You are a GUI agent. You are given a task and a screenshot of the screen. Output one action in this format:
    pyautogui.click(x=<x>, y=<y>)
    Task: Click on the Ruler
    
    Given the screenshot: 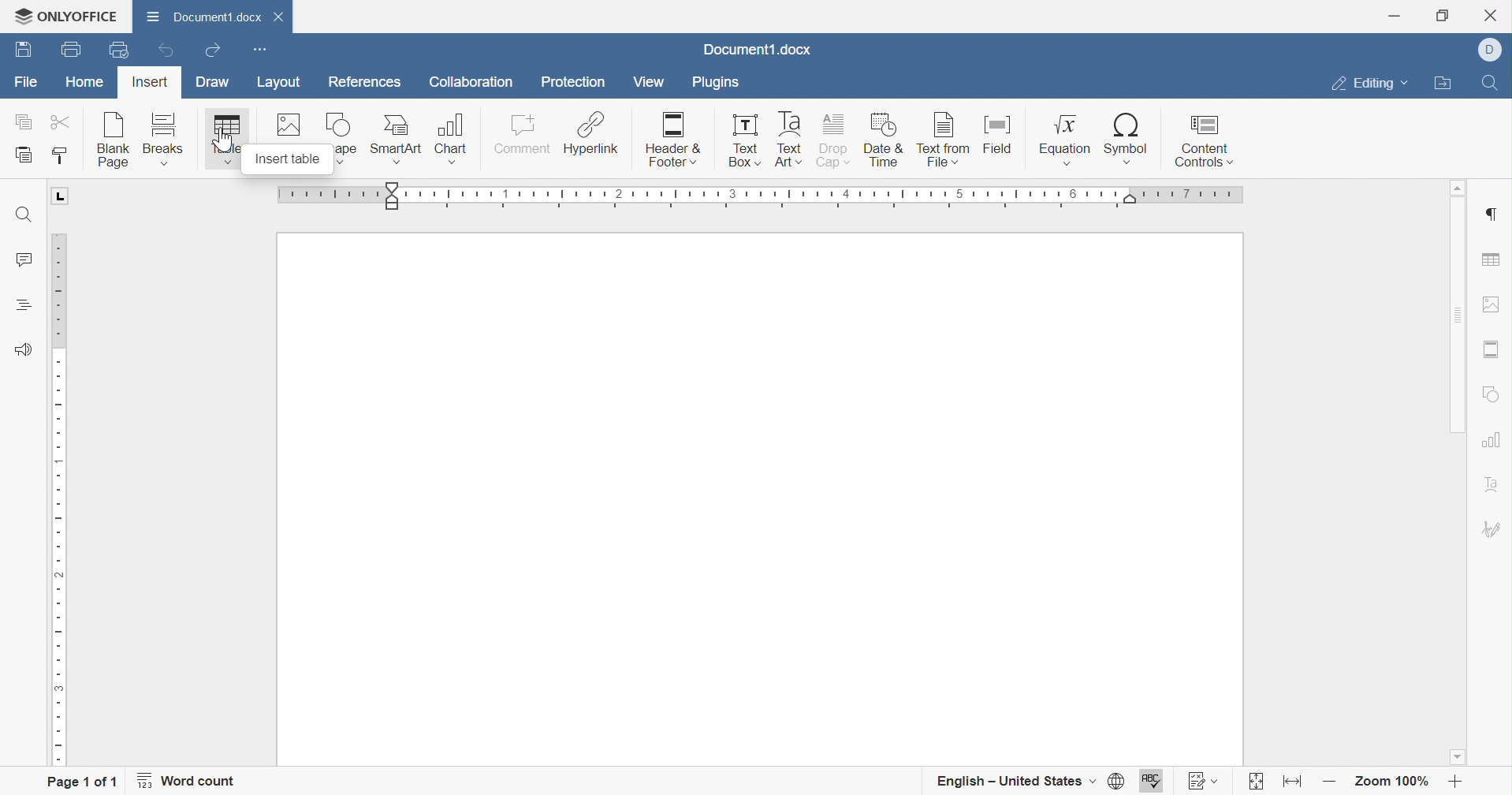 What is the action you would take?
    pyautogui.click(x=762, y=192)
    